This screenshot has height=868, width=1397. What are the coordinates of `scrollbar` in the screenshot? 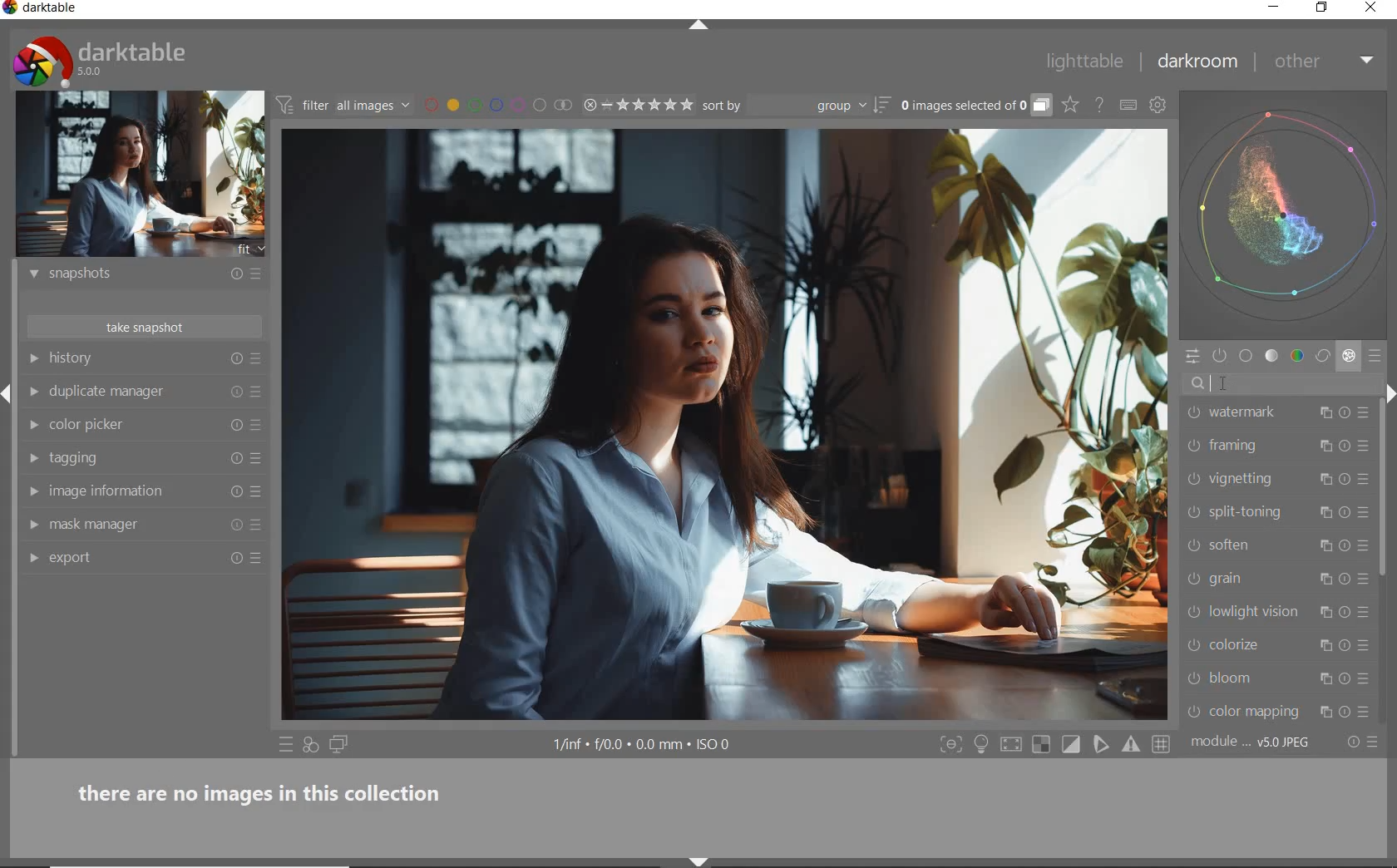 It's located at (1385, 494).